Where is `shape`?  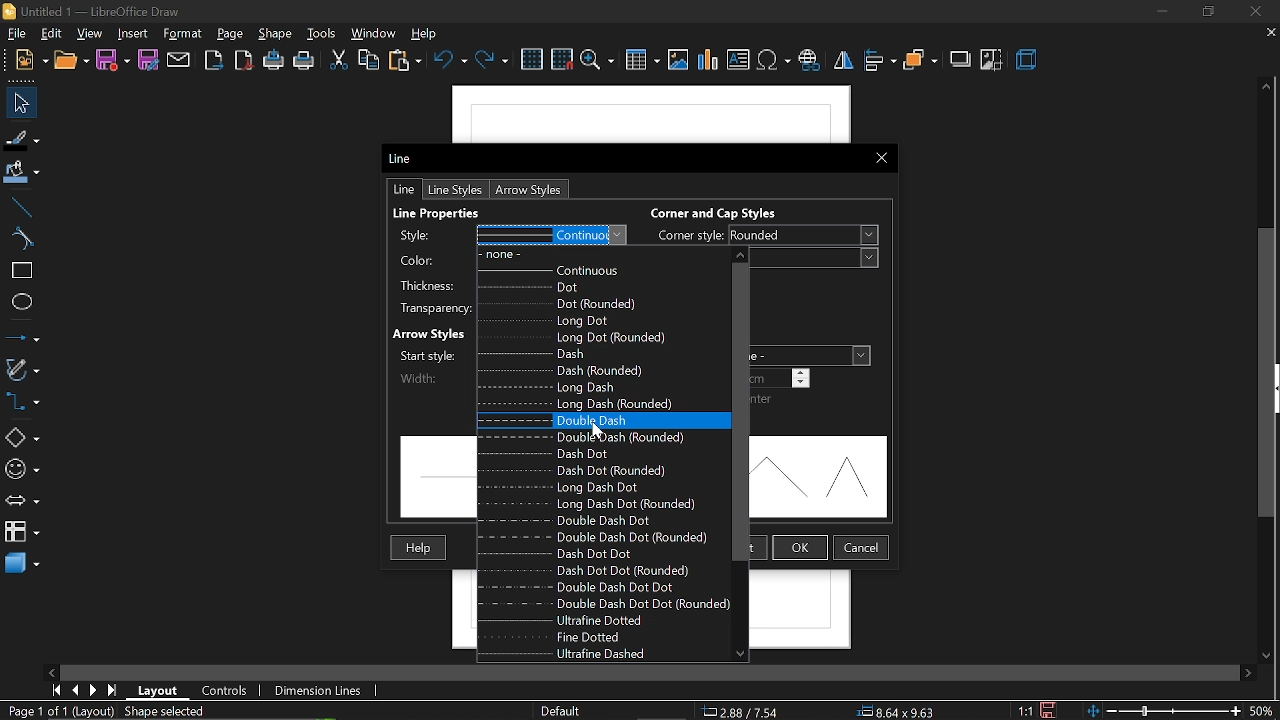
shape is located at coordinates (277, 32).